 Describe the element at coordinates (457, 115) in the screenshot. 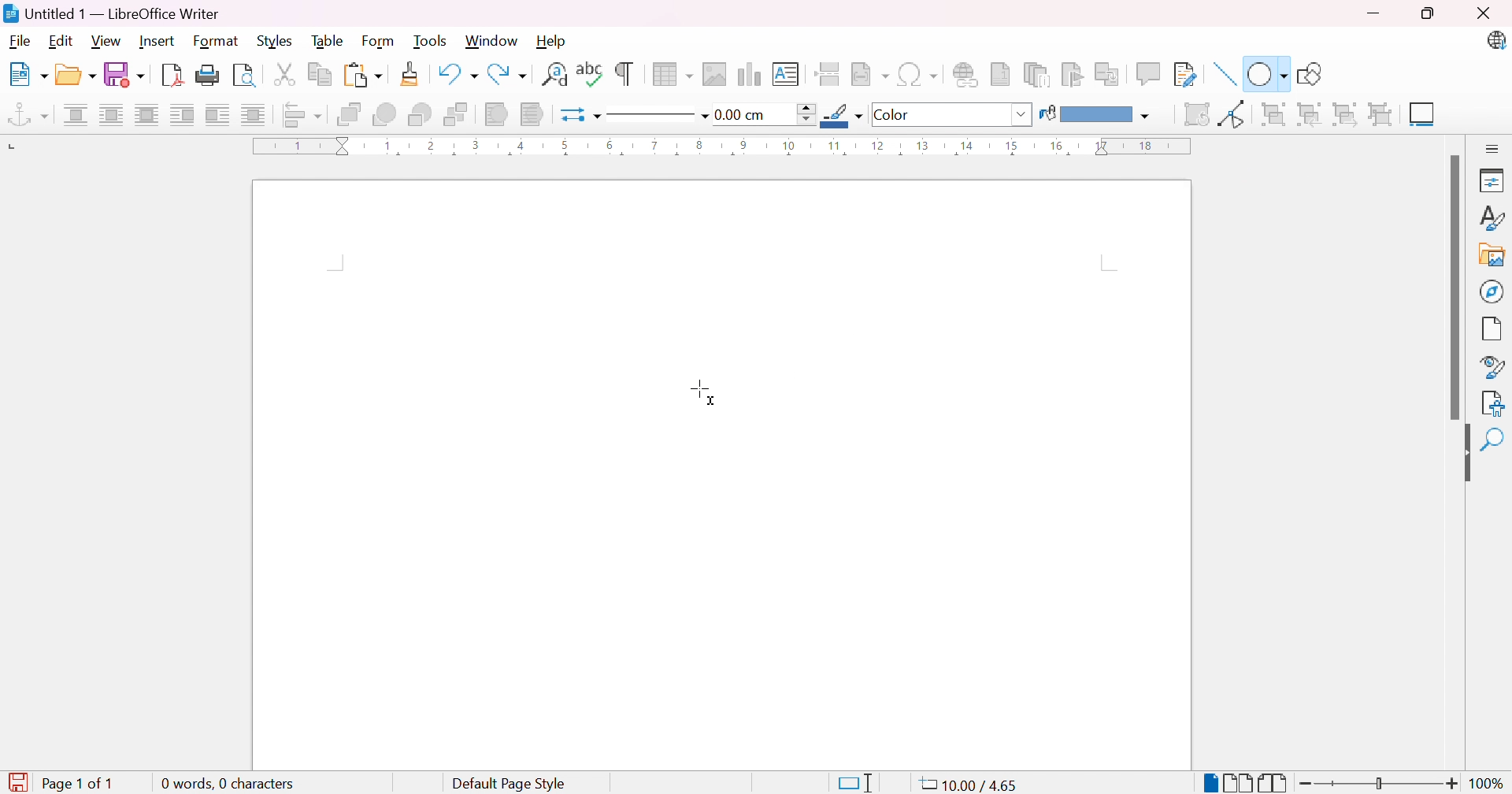

I see `Send to back` at that location.